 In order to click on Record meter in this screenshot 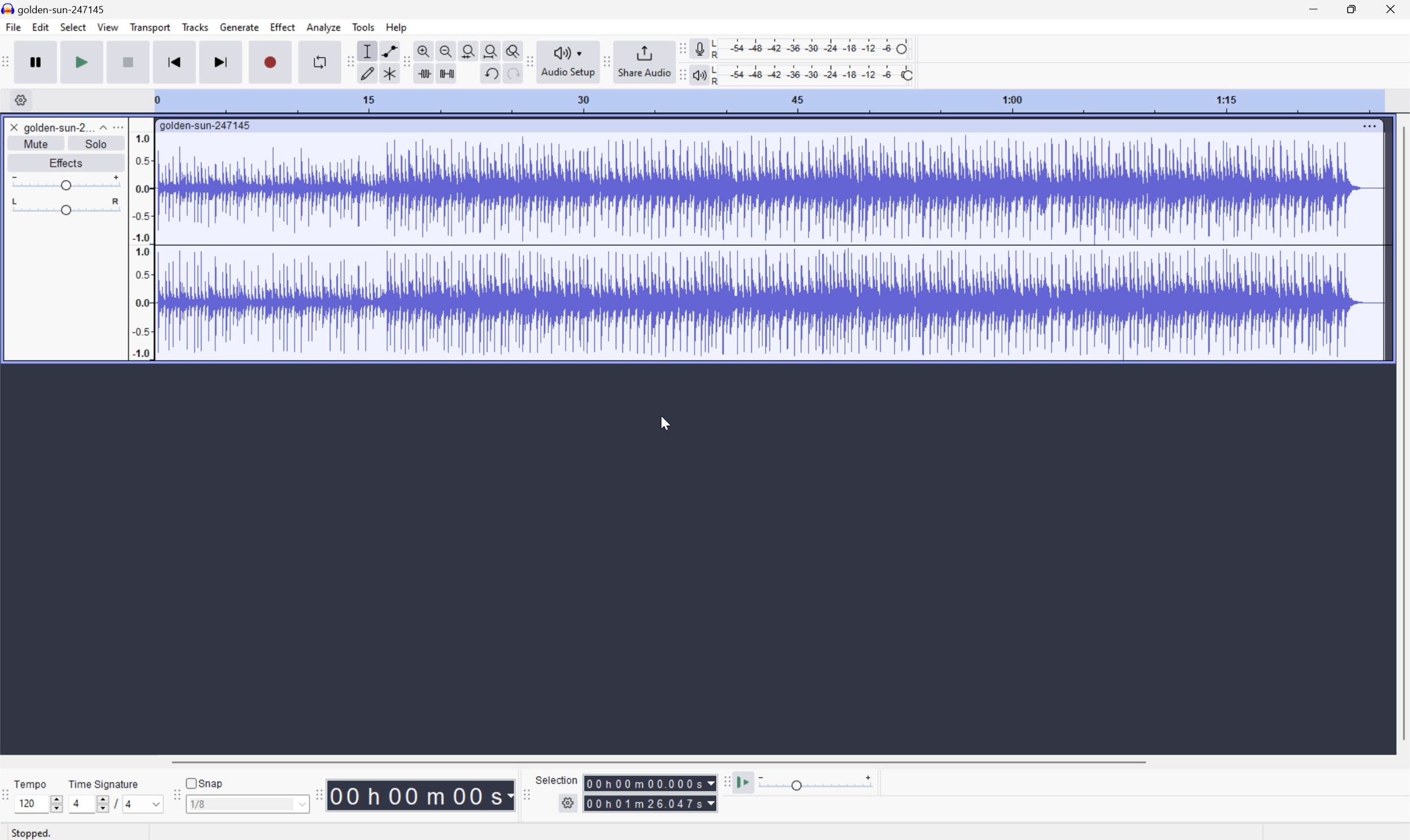, I will do `click(699, 48)`.